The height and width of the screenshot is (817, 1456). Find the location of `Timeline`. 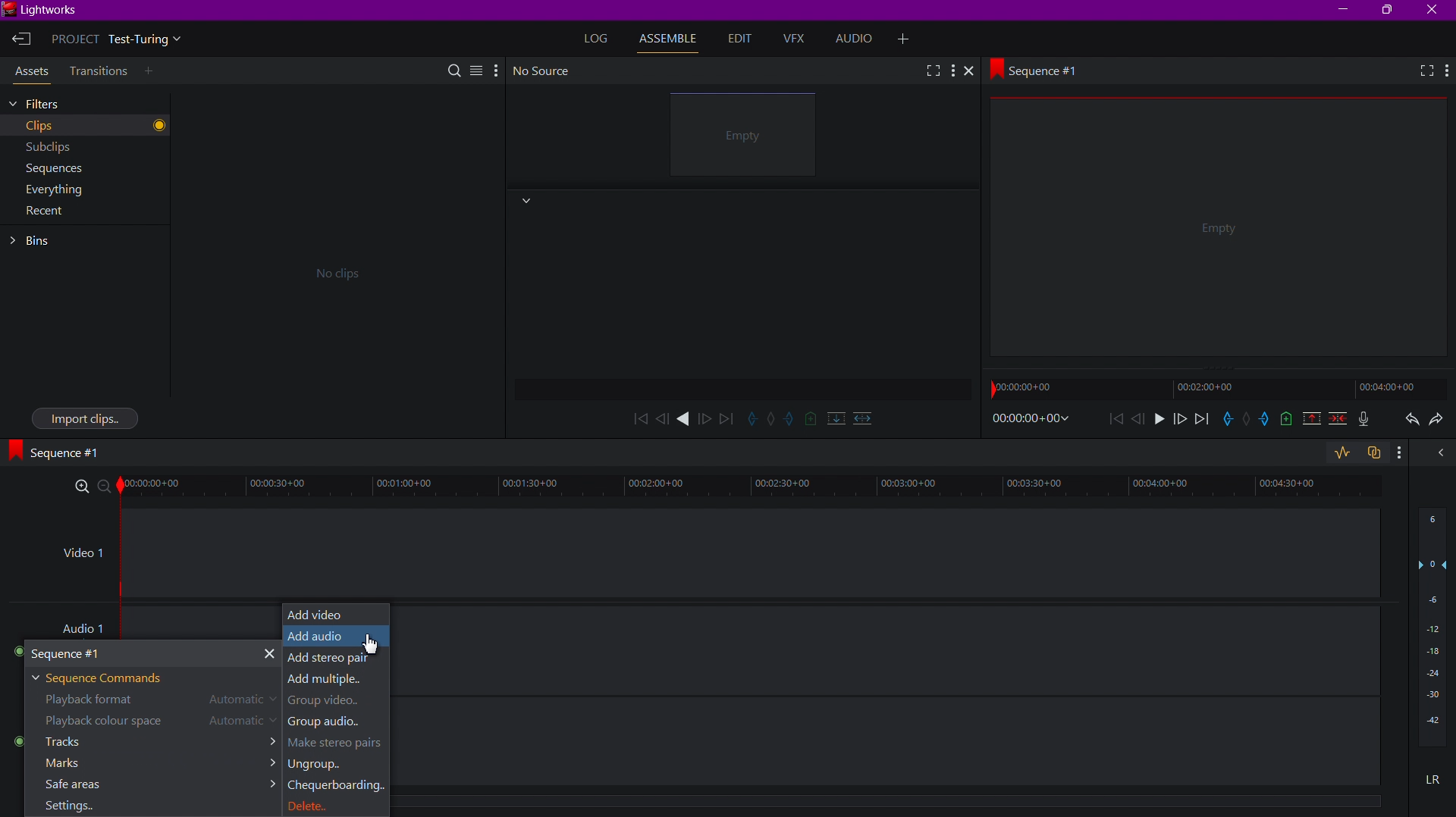

Timeline is located at coordinates (759, 488).